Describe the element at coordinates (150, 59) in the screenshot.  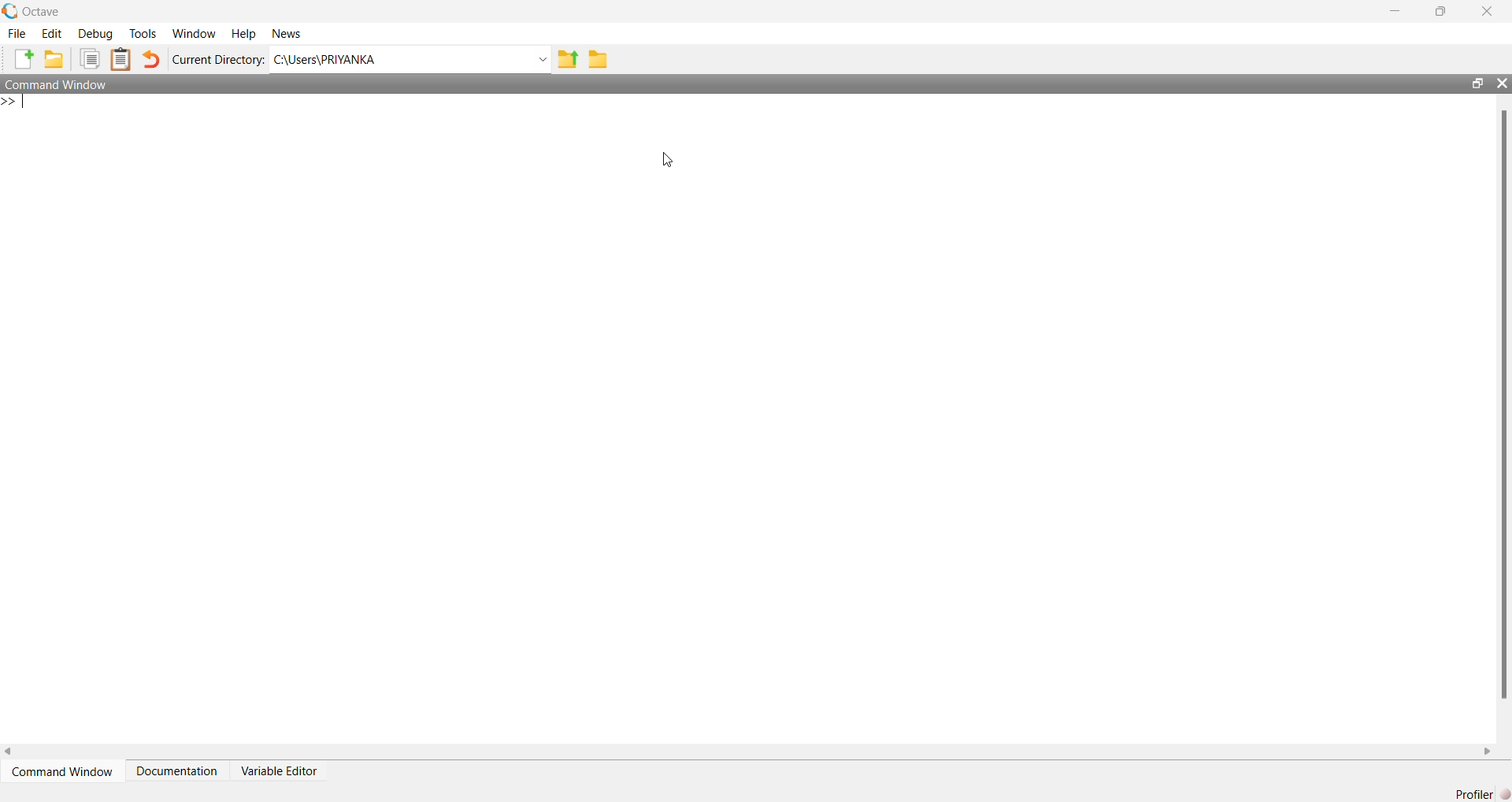
I see `Undo` at that location.